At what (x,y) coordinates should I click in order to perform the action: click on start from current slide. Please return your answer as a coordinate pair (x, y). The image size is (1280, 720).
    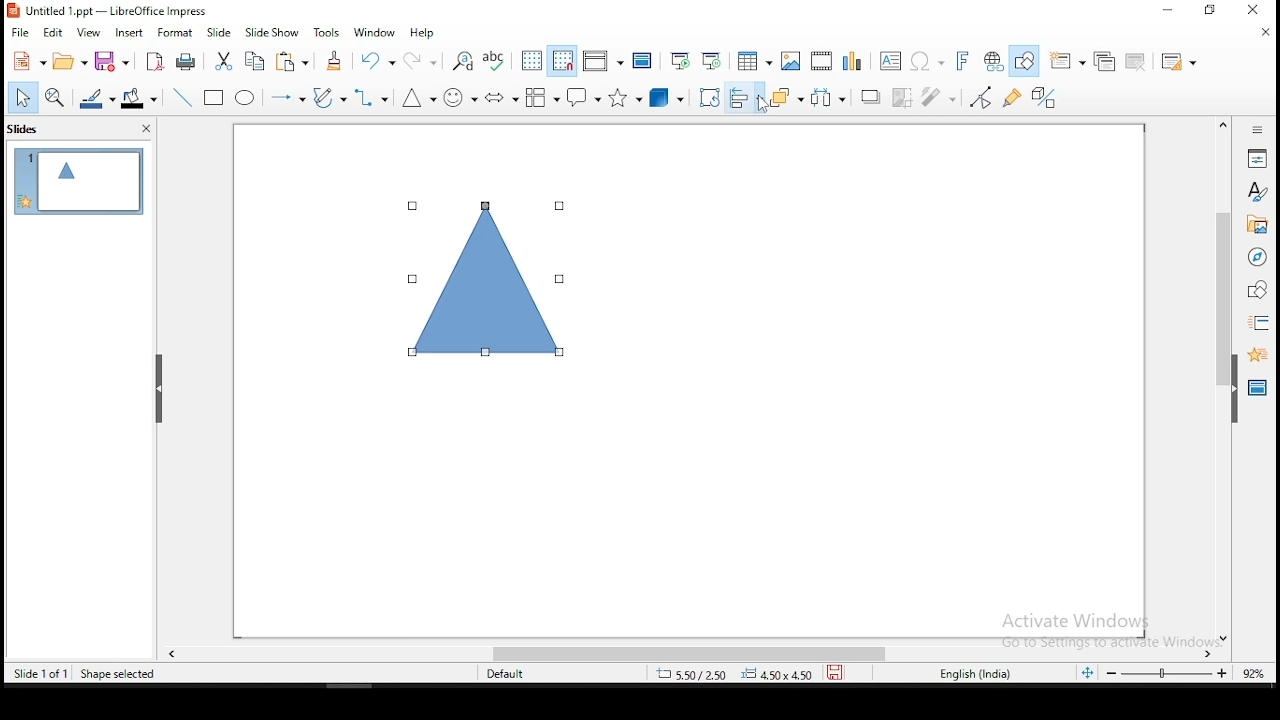
    Looking at the image, I should click on (713, 61).